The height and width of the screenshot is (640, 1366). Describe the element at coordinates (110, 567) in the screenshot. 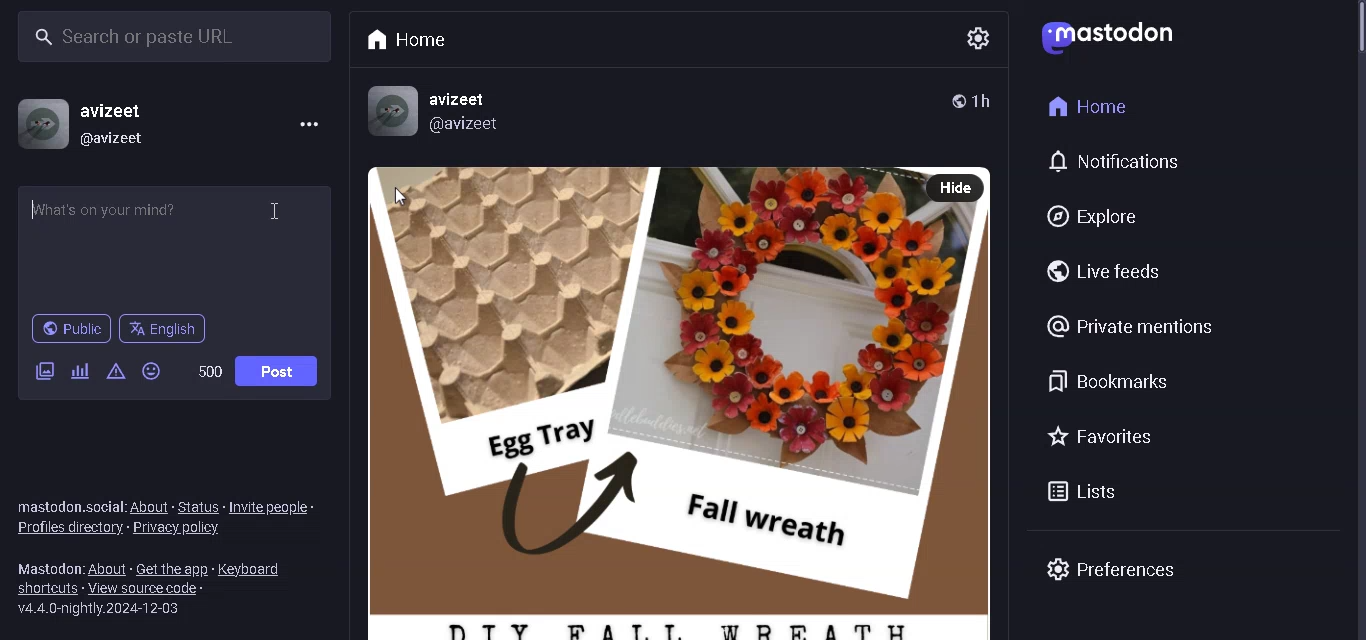

I see `ABOUT` at that location.